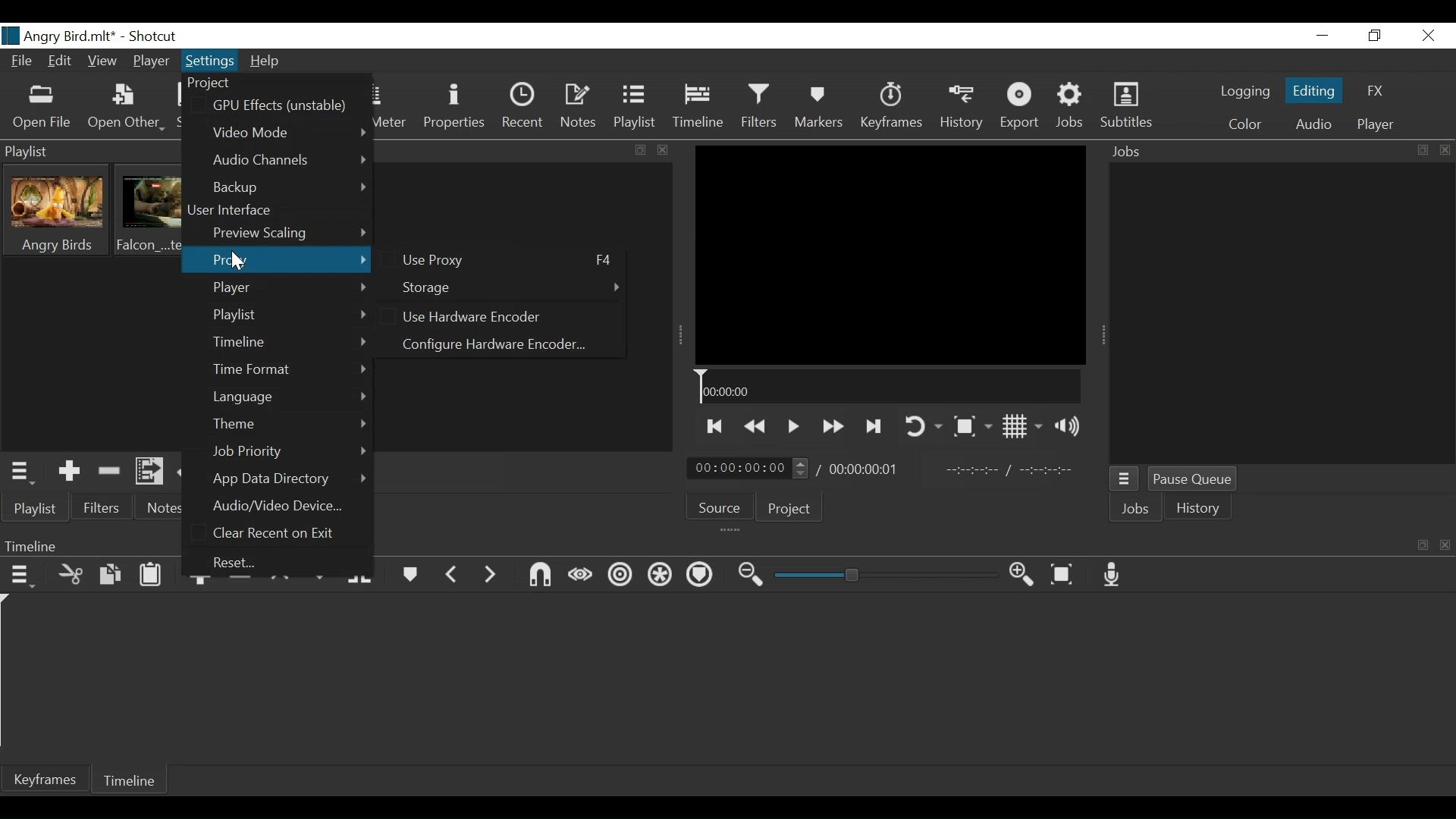  I want to click on Shotcut, so click(156, 38).